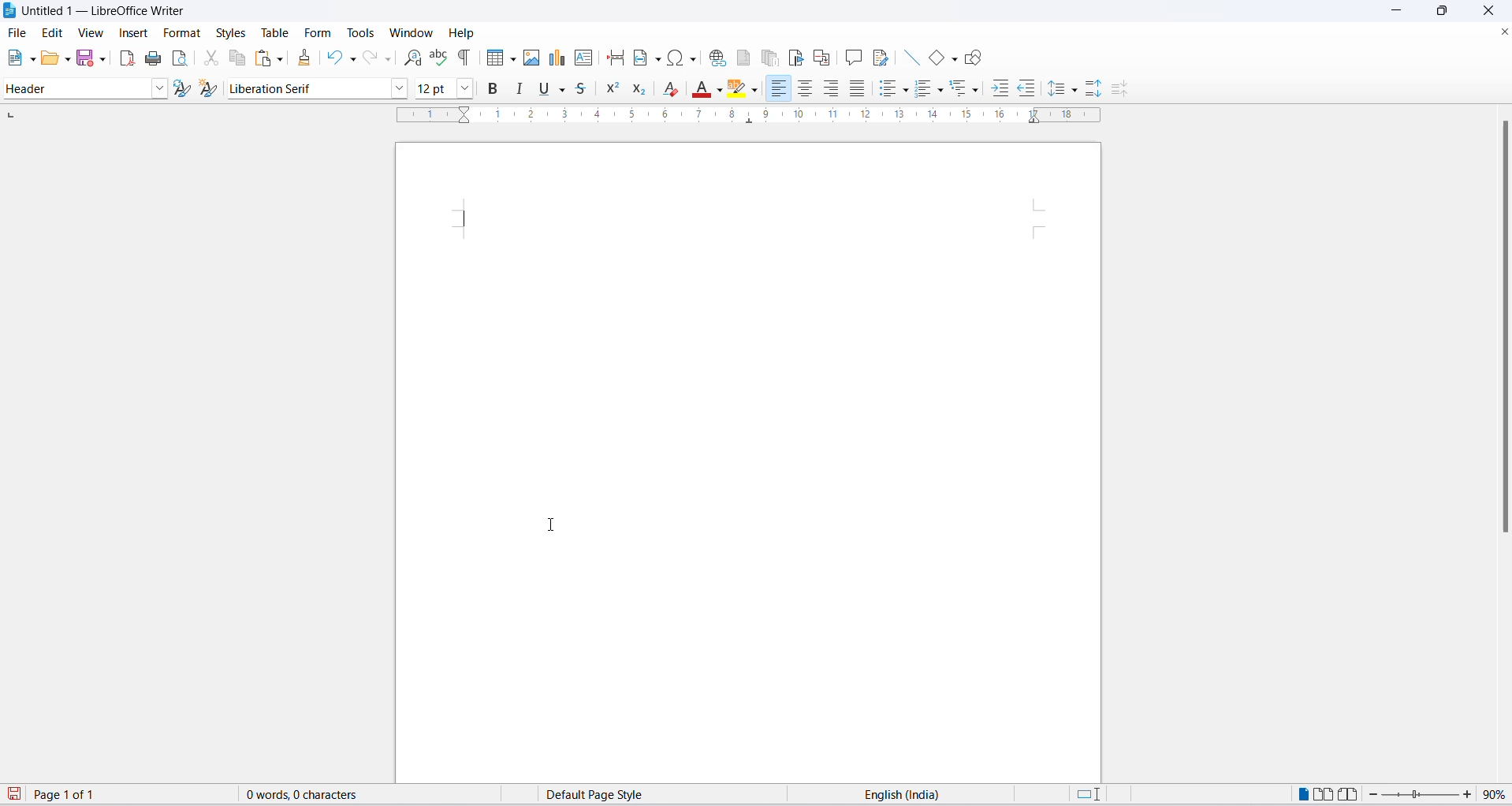  What do you see at coordinates (210, 87) in the screenshot?
I see `create new style from selection` at bounding box center [210, 87].